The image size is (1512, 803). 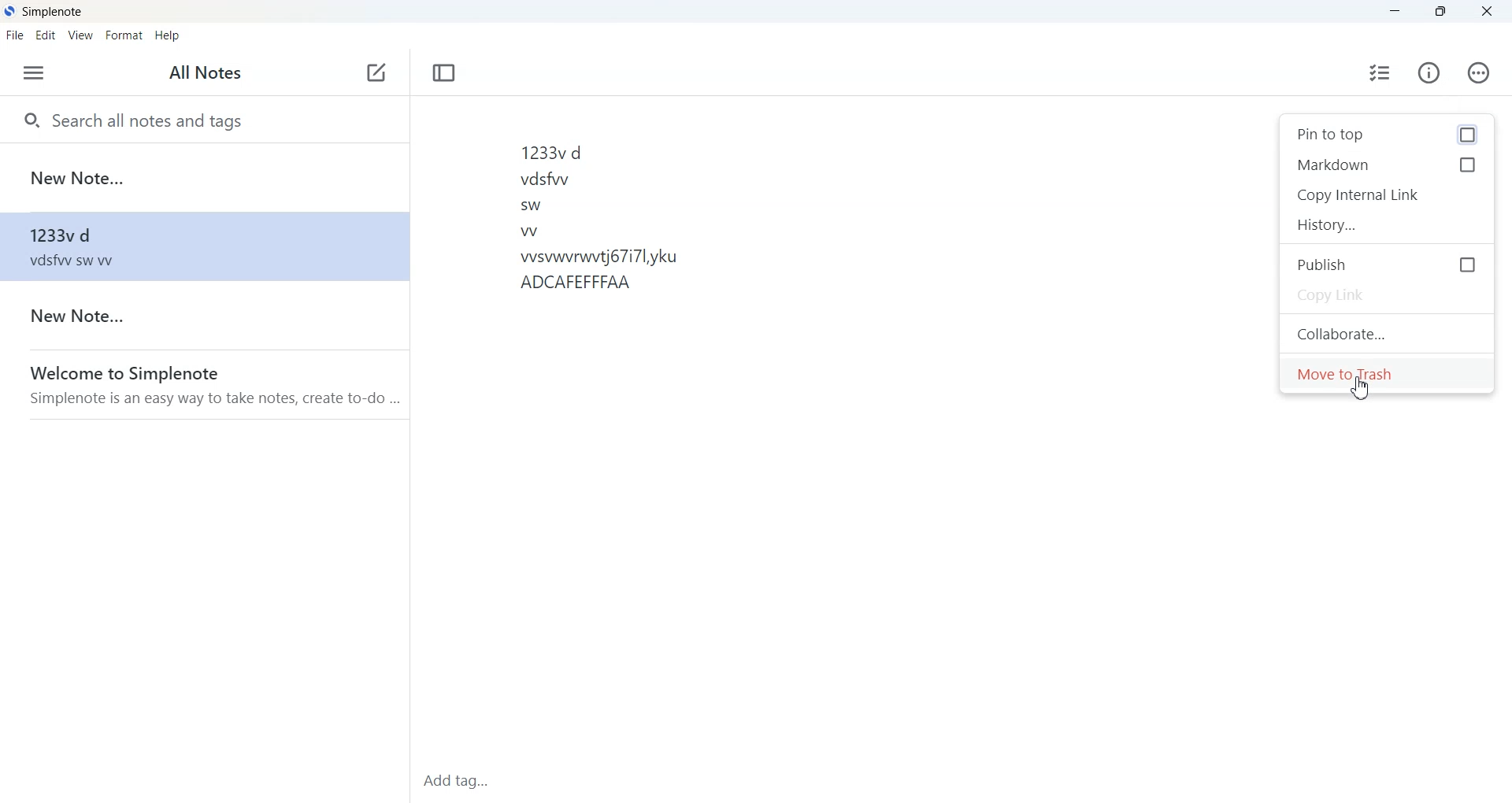 What do you see at coordinates (1388, 224) in the screenshot?
I see `History...` at bounding box center [1388, 224].